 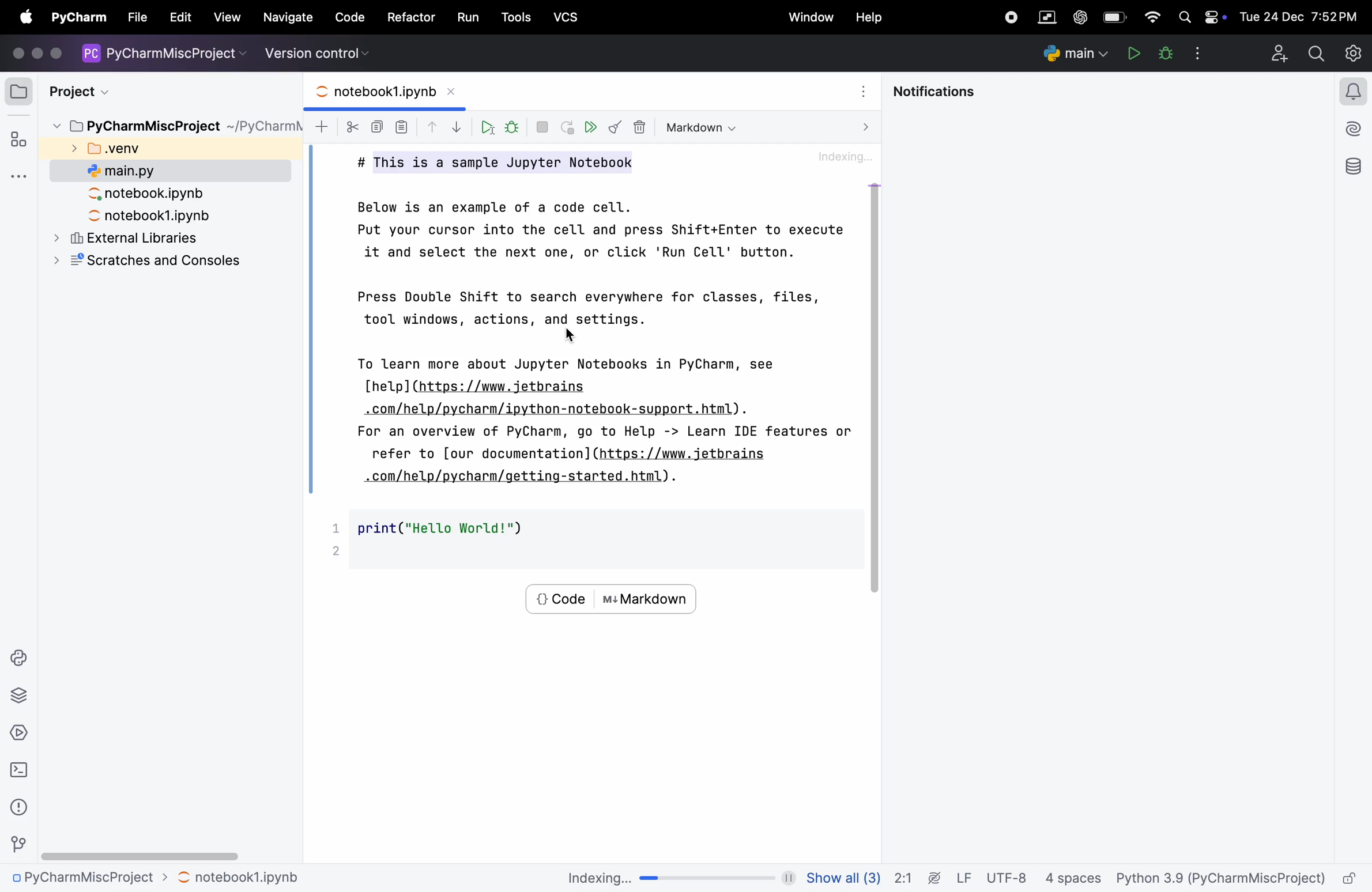 What do you see at coordinates (81, 92) in the screenshot?
I see `project` at bounding box center [81, 92].